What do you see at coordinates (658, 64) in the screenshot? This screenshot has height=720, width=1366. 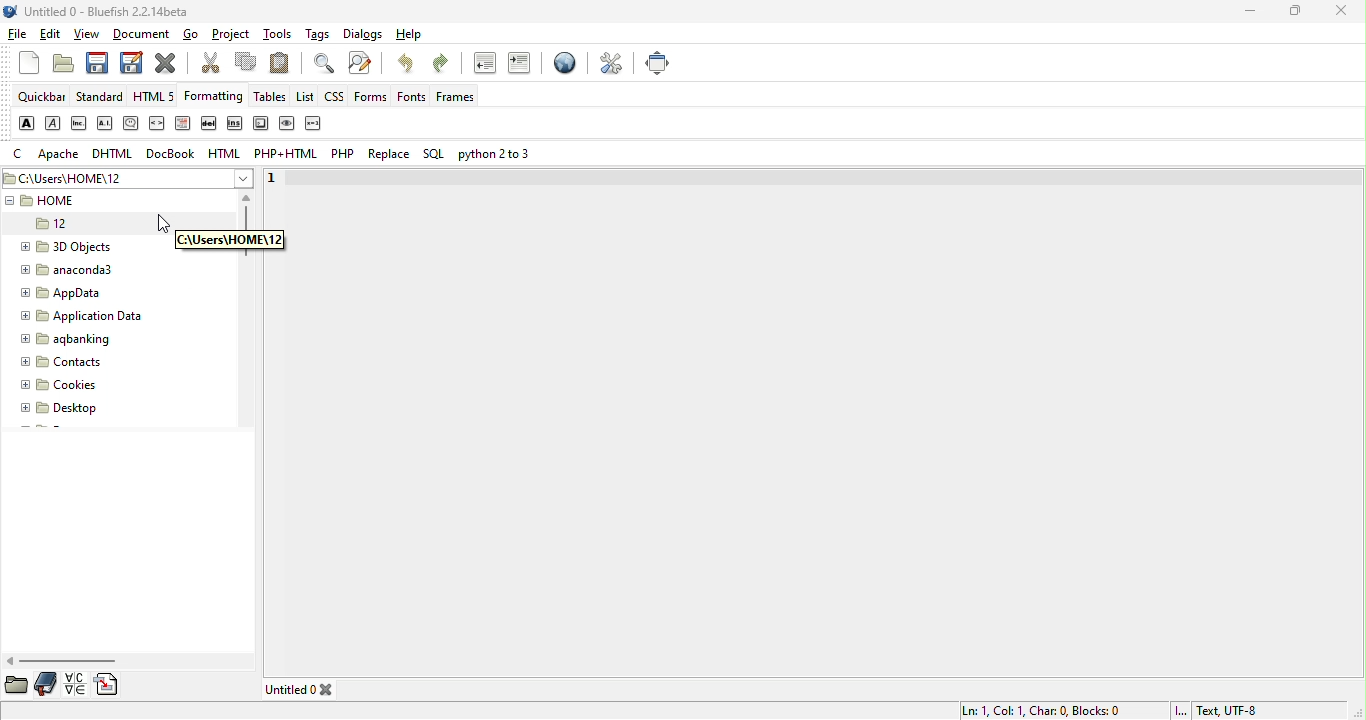 I see `full screen` at bounding box center [658, 64].